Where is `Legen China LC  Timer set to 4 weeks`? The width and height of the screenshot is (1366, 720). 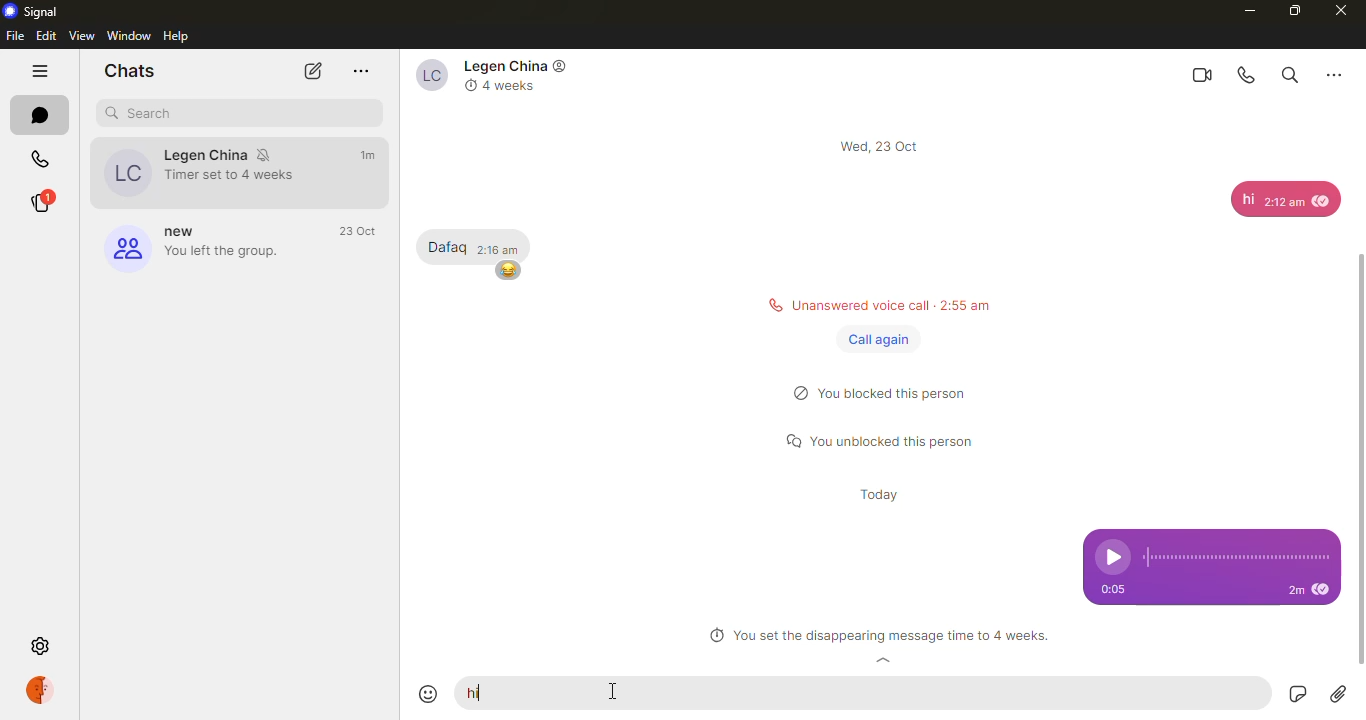
Legen China LC  Timer set to 4 weeks is located at coordinates (194, 172).